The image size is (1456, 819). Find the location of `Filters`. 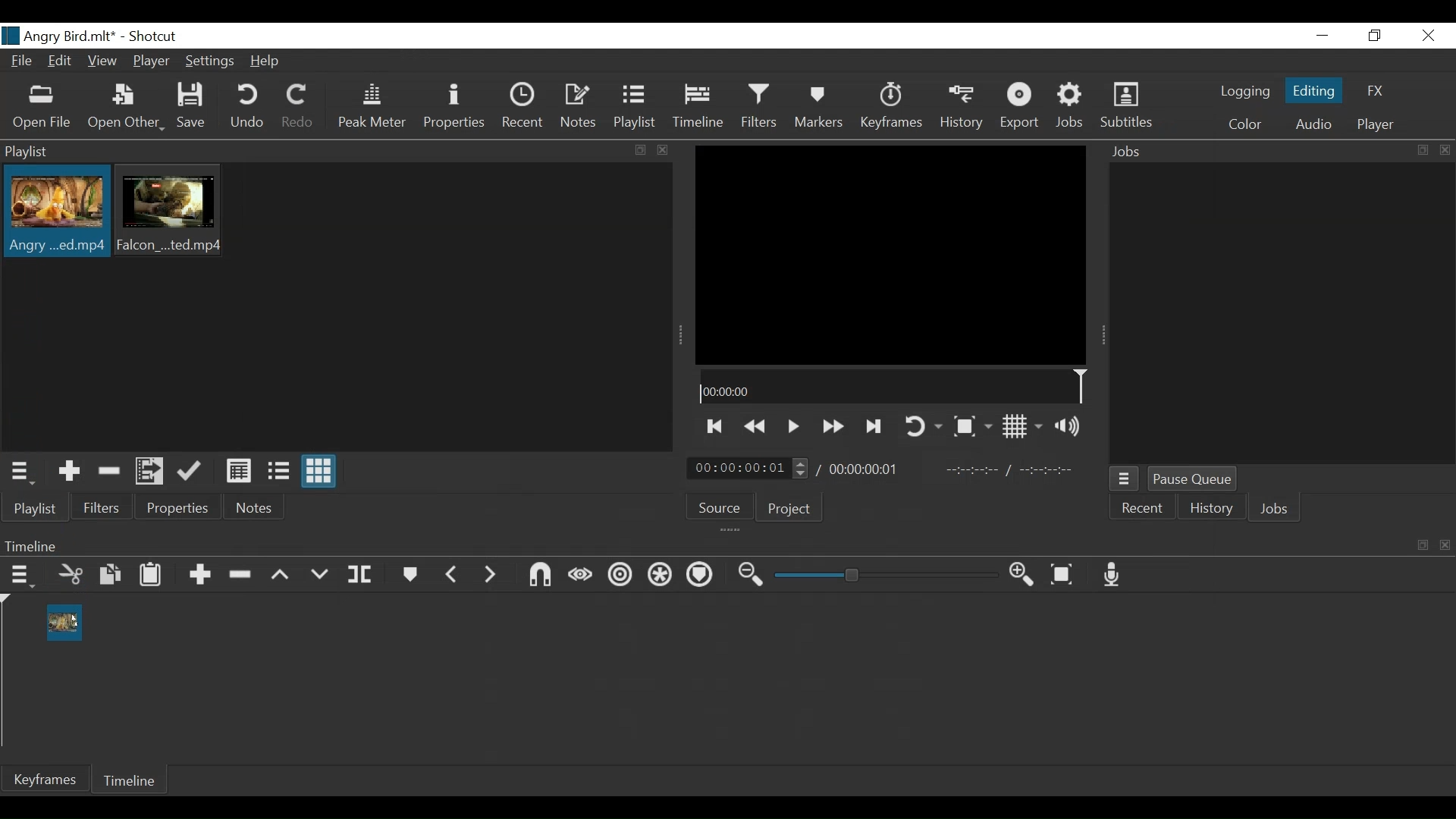

Filters is located at coordinates (102, 507).